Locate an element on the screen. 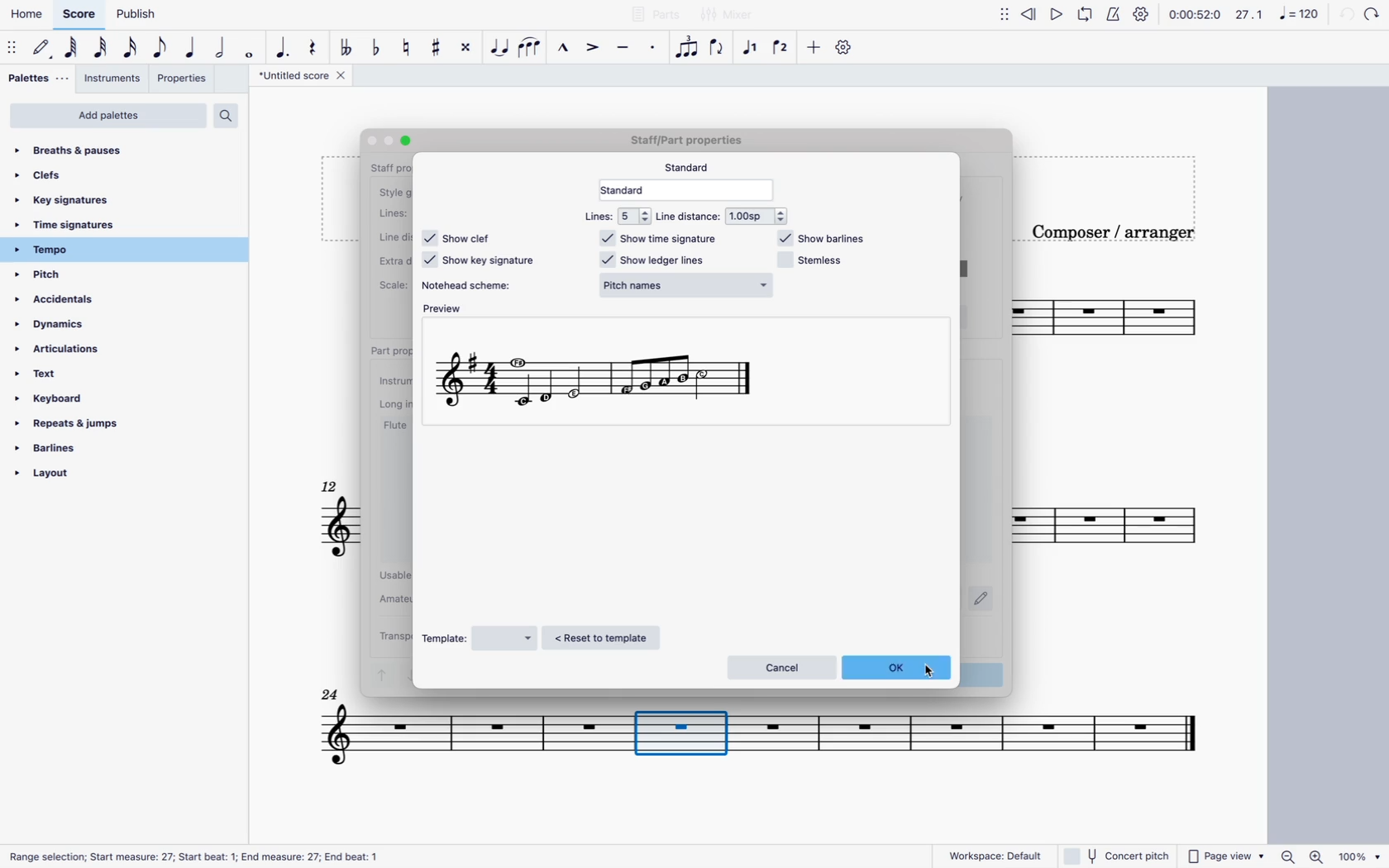 The image size is (1389, 868). stemless is located at coordinates (812, 261).